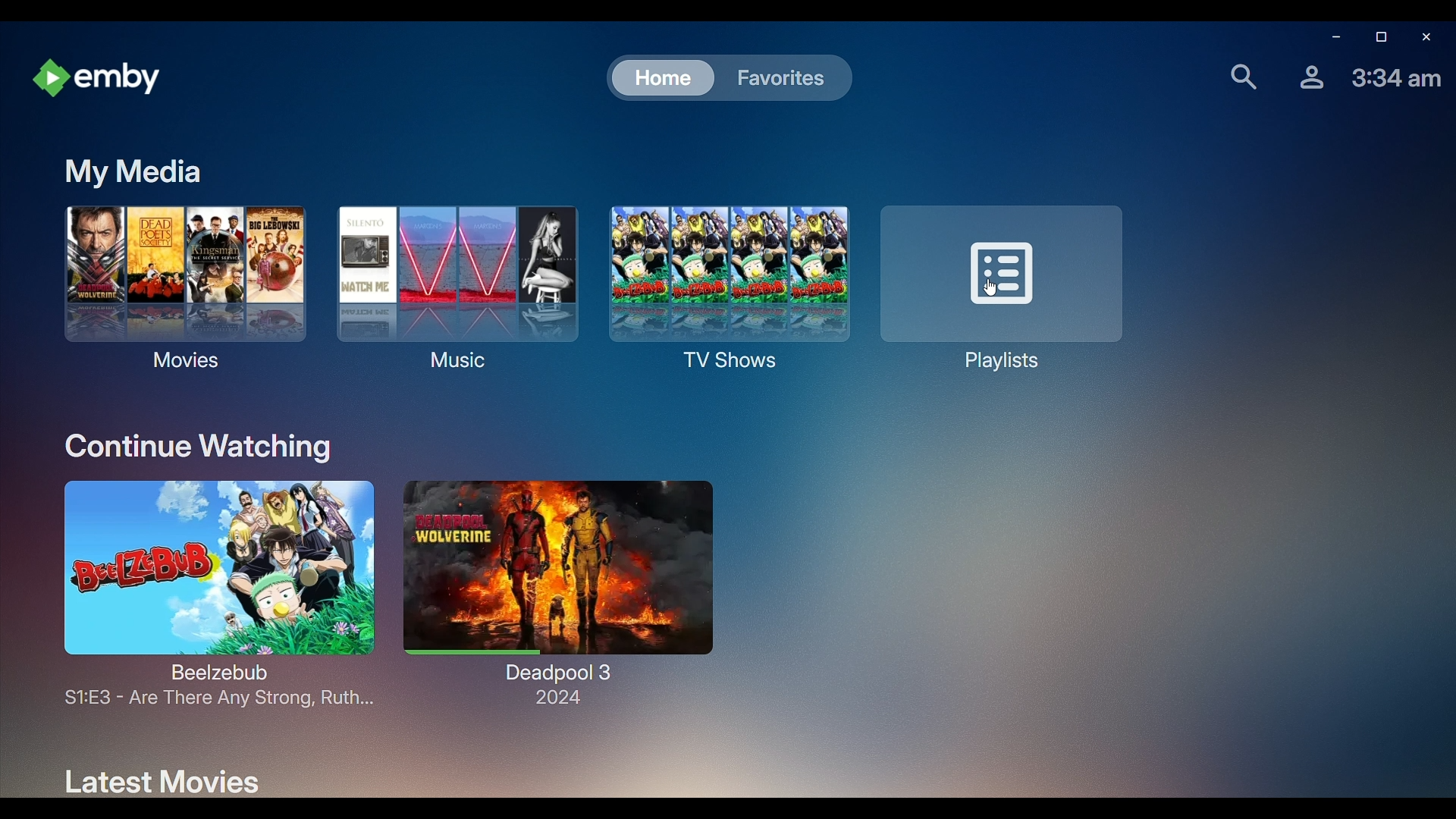 The height and width of the screenshot is (819, 1456). I want to click on cursor, so click(992, 292).